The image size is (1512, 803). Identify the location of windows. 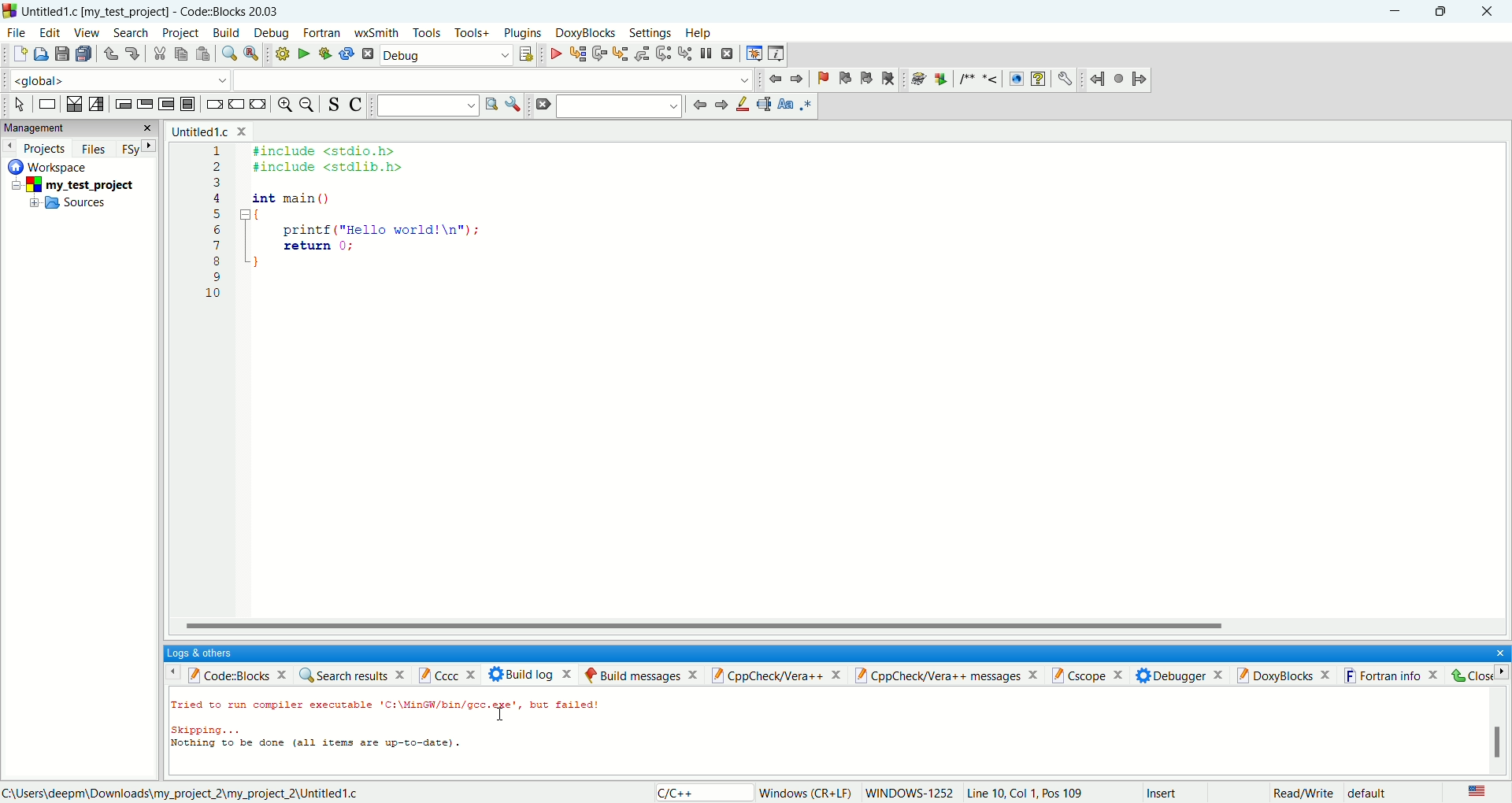
(806, 794).